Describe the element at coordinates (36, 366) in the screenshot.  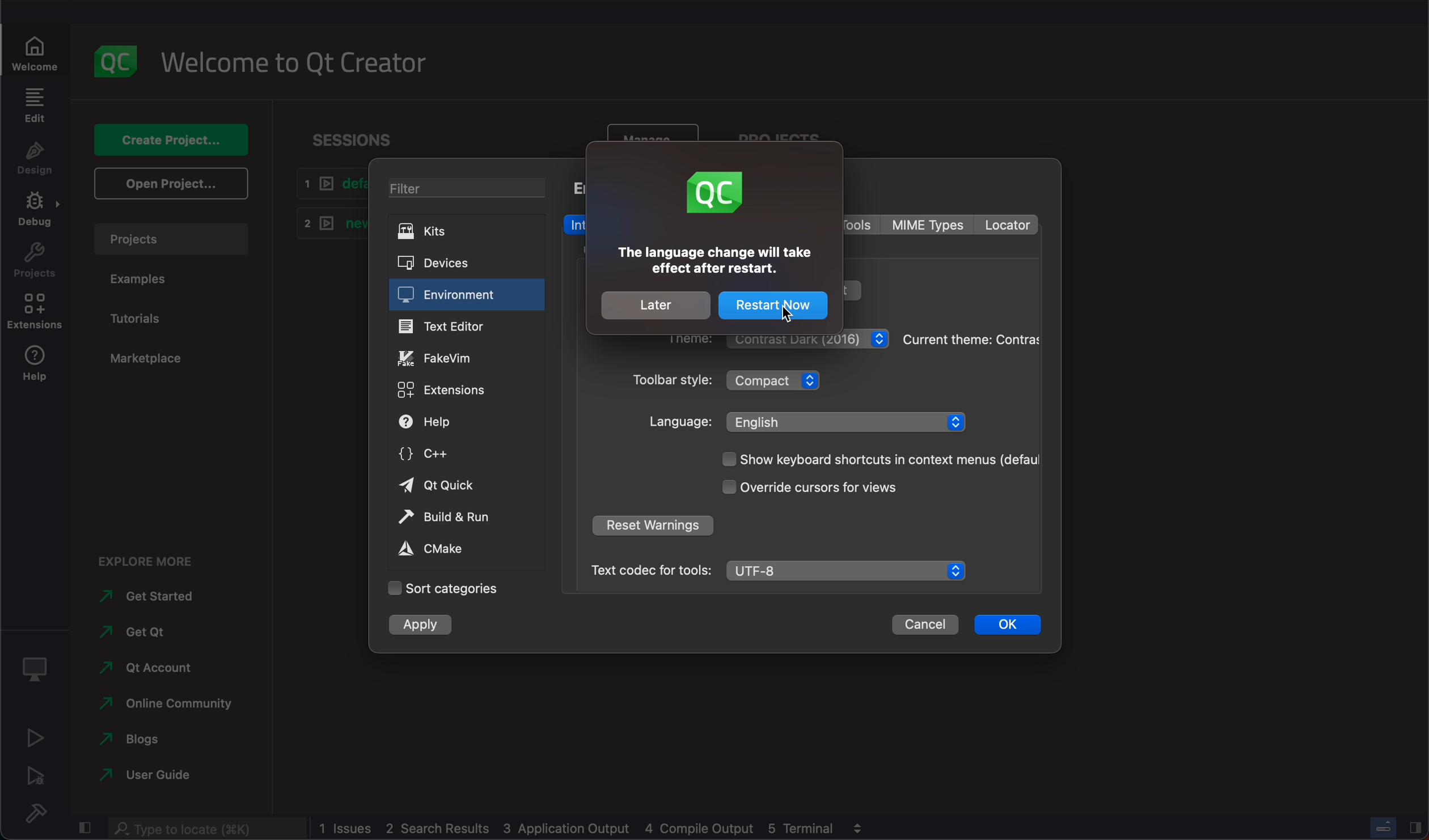
I see `help` at that location.